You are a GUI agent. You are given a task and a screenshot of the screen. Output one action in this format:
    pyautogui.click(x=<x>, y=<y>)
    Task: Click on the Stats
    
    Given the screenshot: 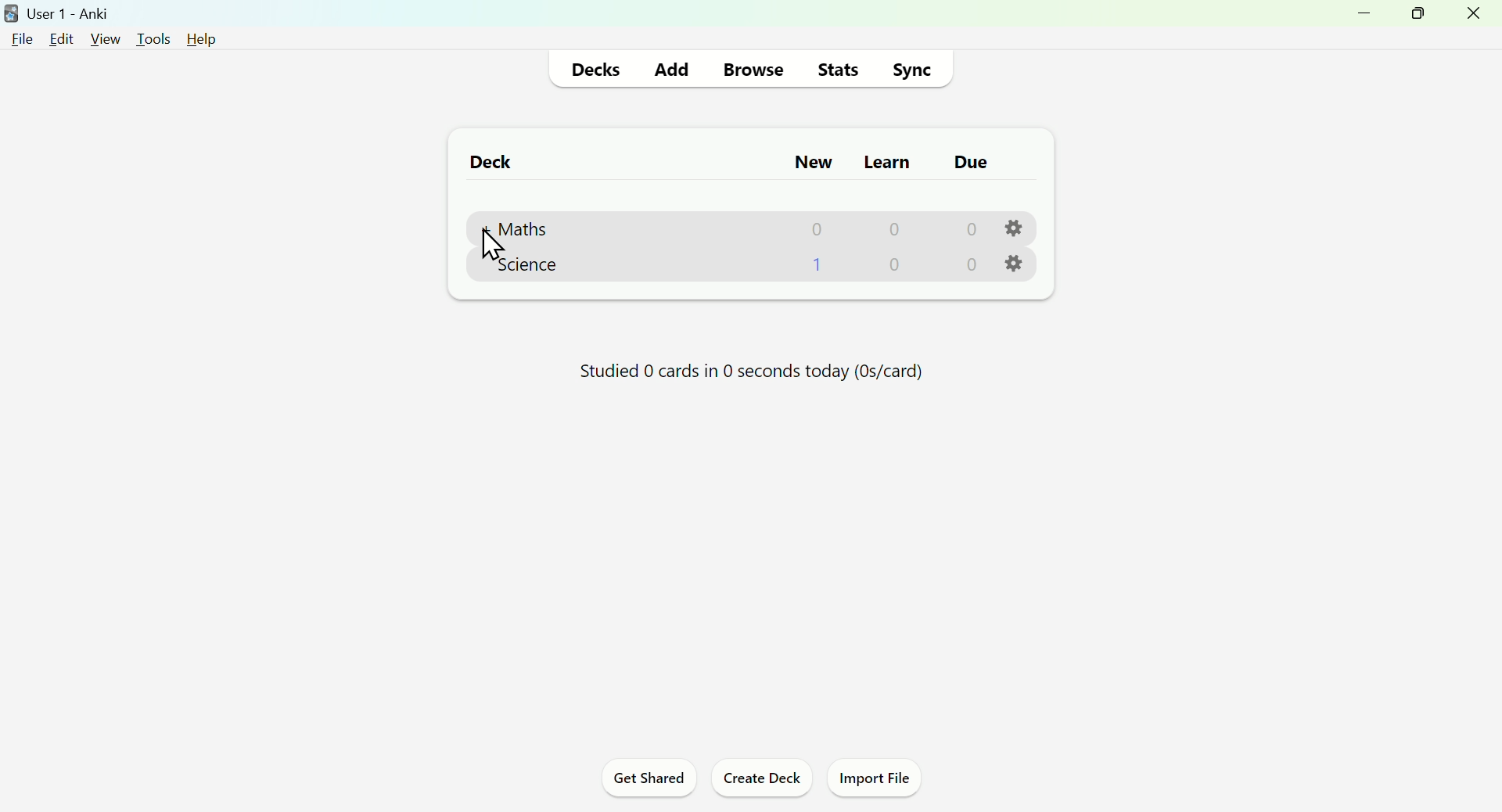 What is the action you would take?
    pyautogui.click(x=839, y=68)
    